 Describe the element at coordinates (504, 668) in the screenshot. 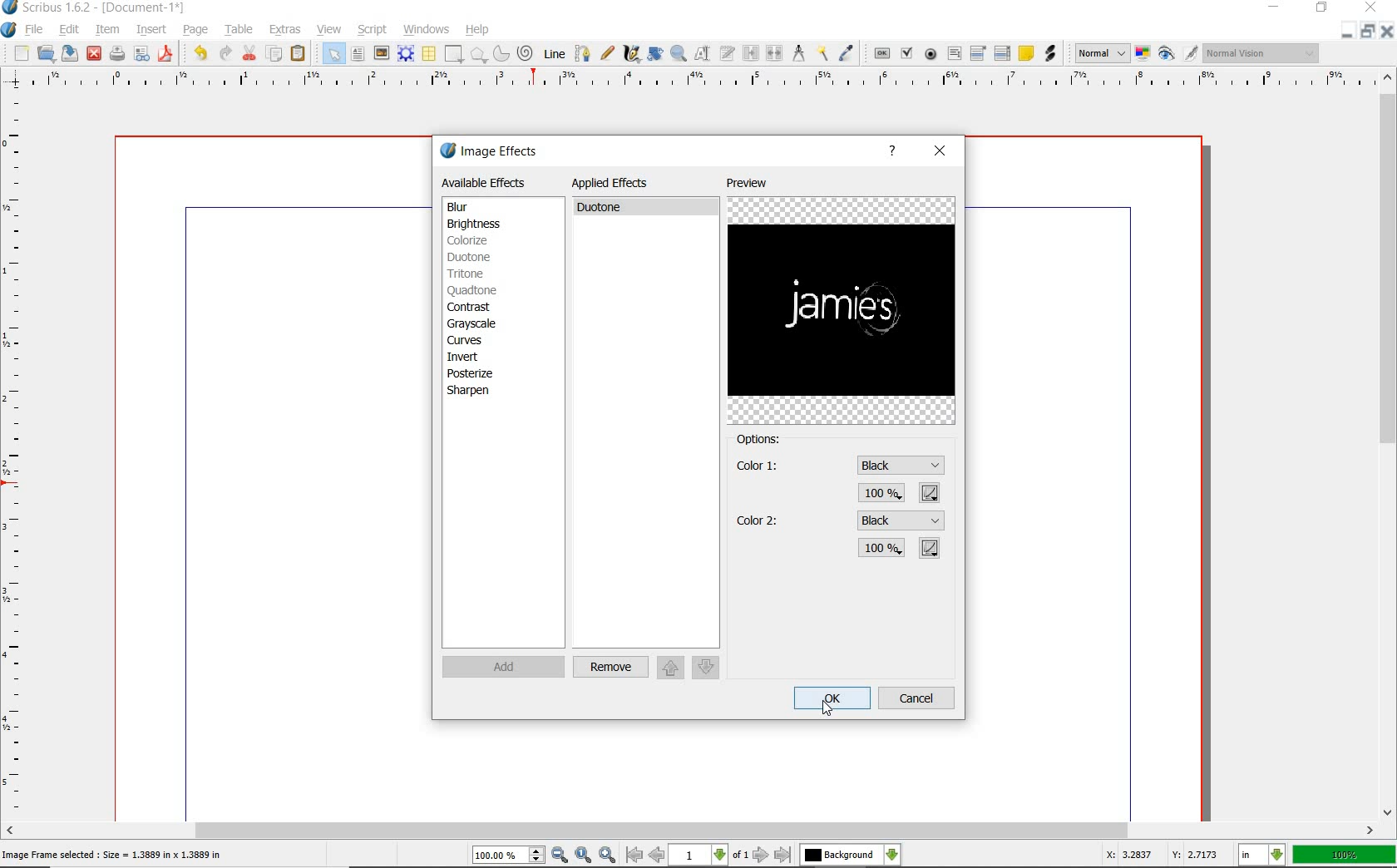

I see `add` at that location.